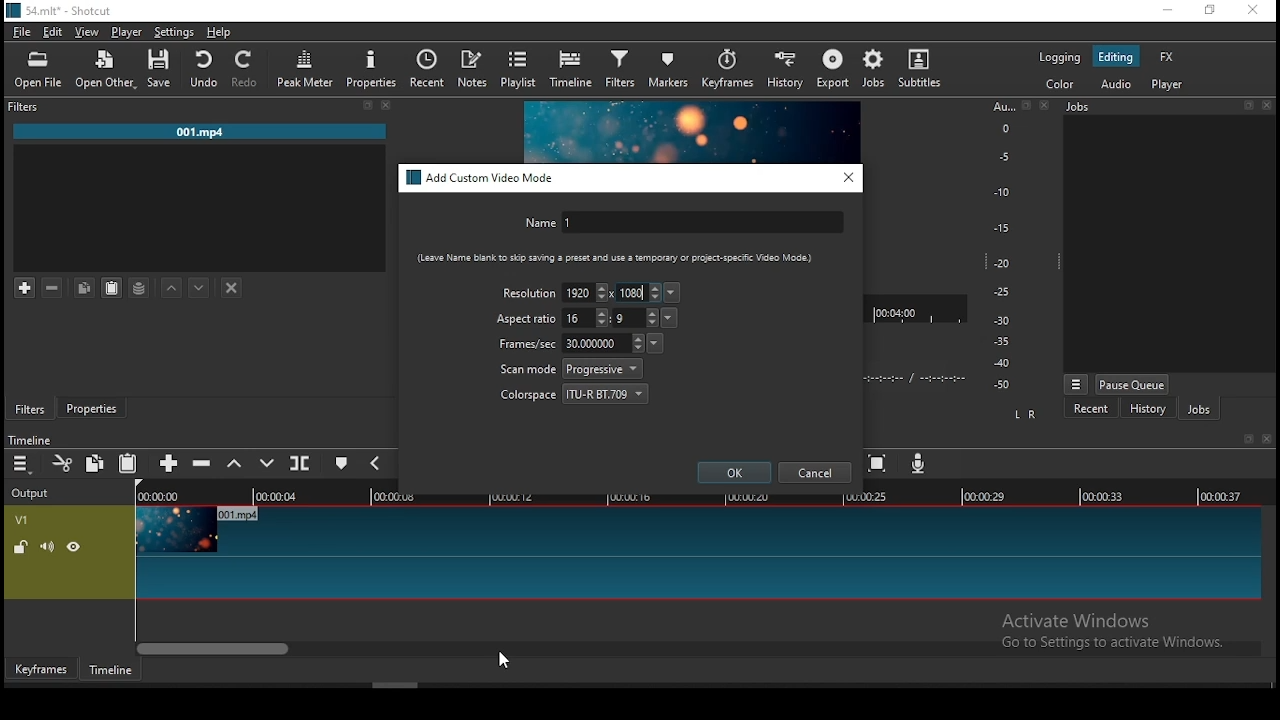 The image size is (1280, 720). What do you see at coordinates (621, 70) in the screenshot?
I see `filter` at bounding box center [621, 70].